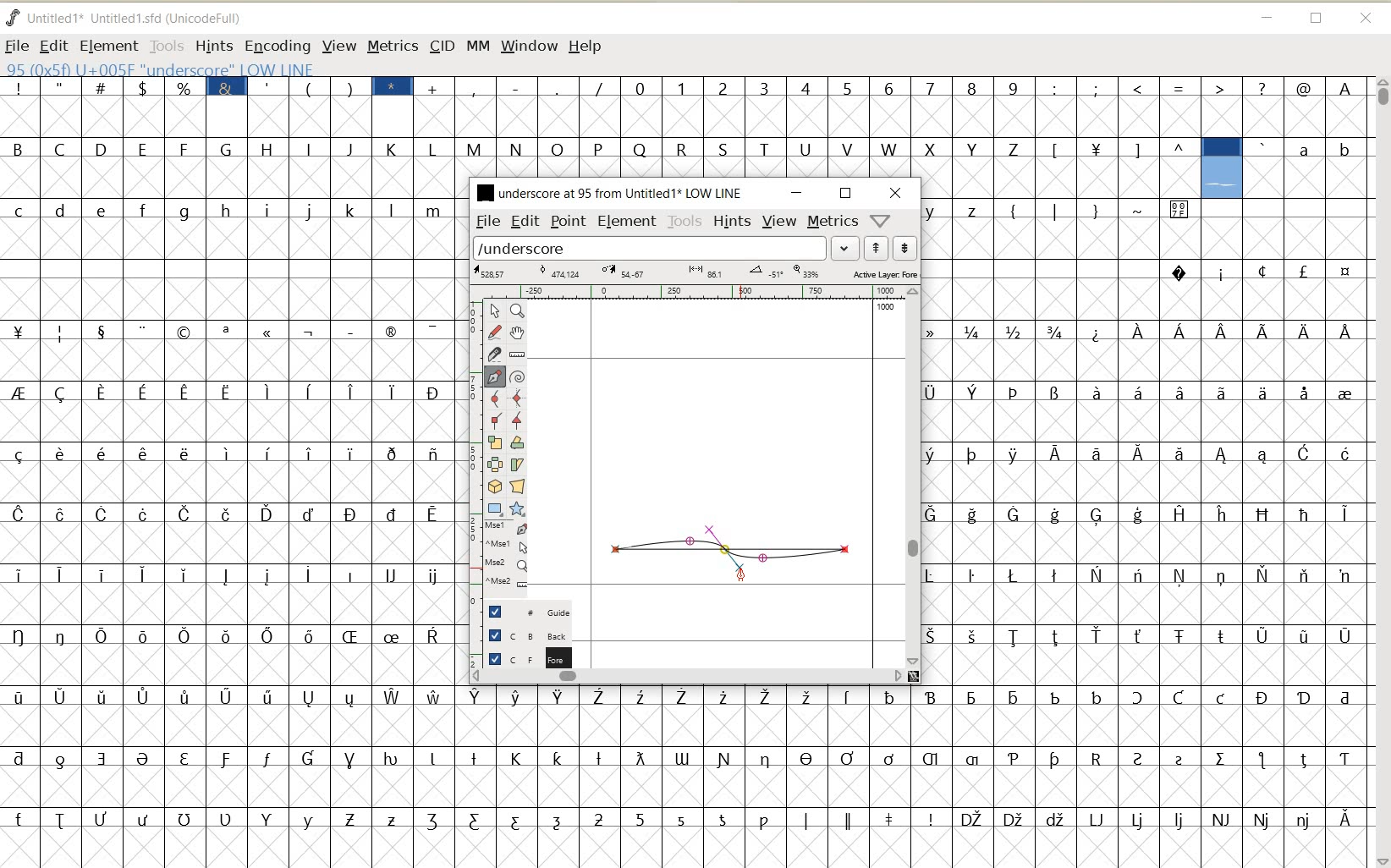 The image size is (1391, 868). Describe the element at coordinates (832, 220) in the screenshot. I see `metrics` at that location.